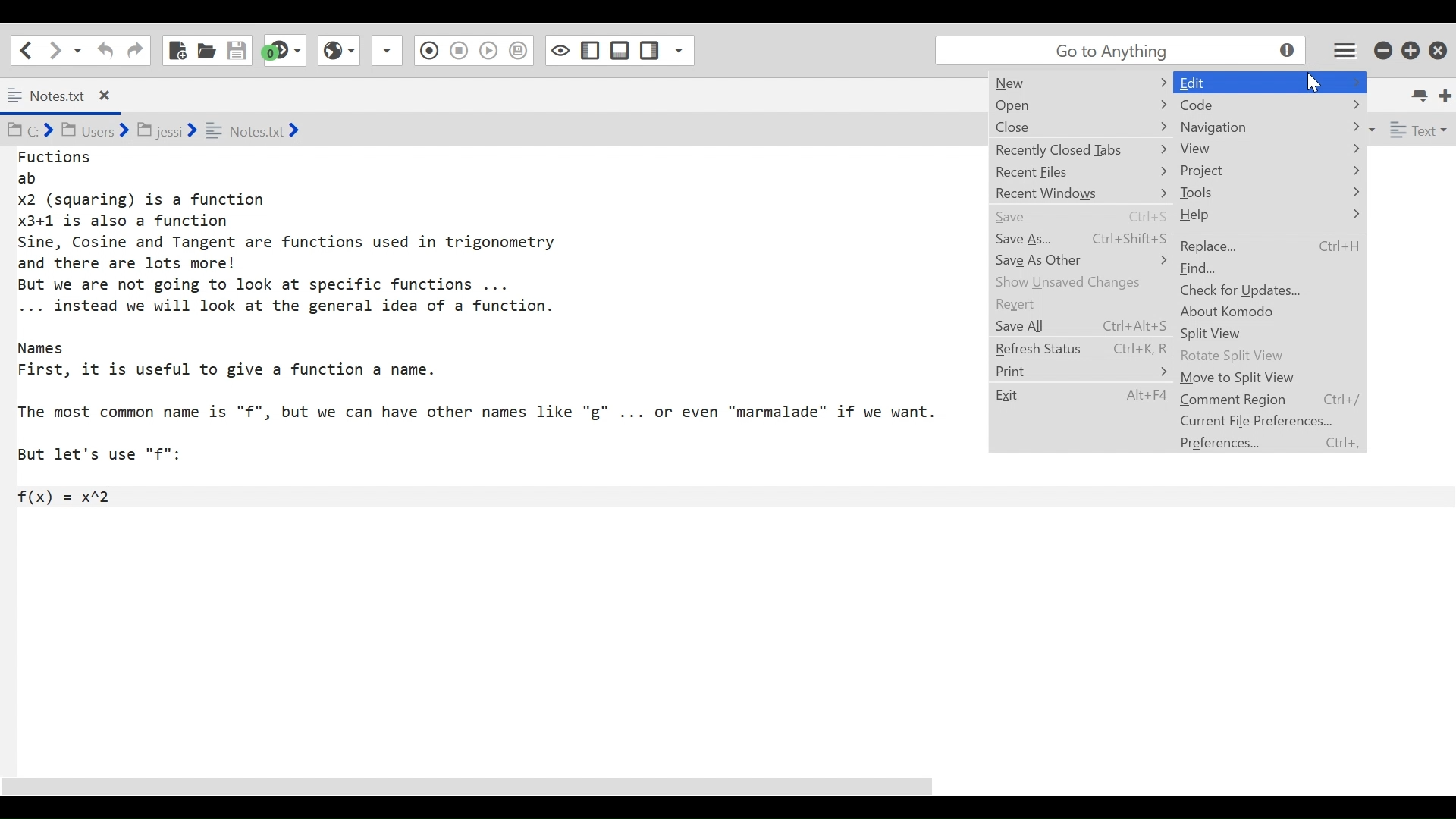  I want to click on replace... Ctrl+H, so click(1278, 244).